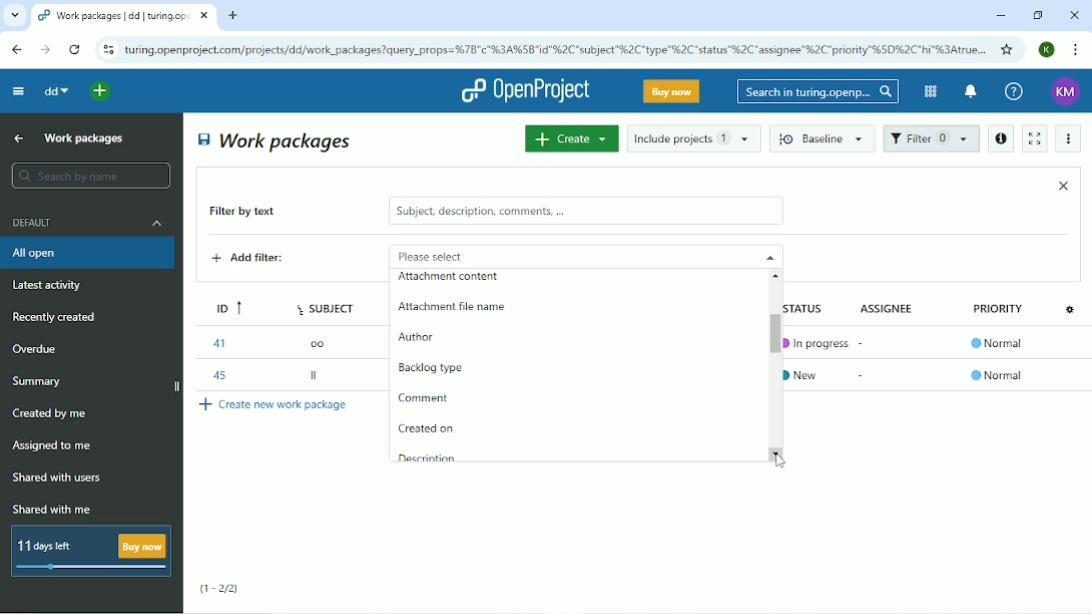 Image resolution: width=1092 pixels, height=614 pixels. Describe the element at coordinates (450, 276) in the screenshot. I see `attachment content` at that location.